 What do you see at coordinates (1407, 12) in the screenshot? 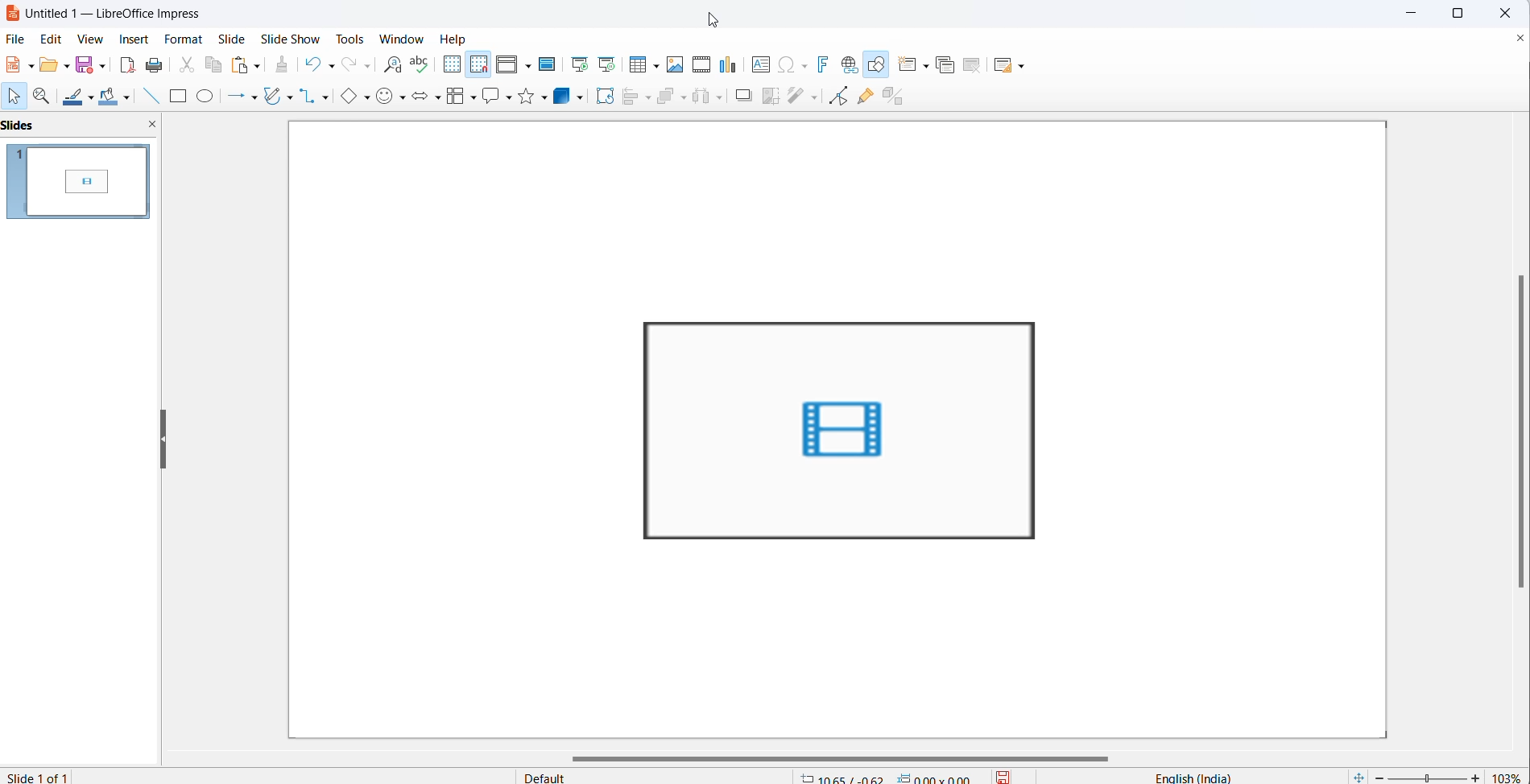
I see `minimize` at bounding box center [1407, 12].